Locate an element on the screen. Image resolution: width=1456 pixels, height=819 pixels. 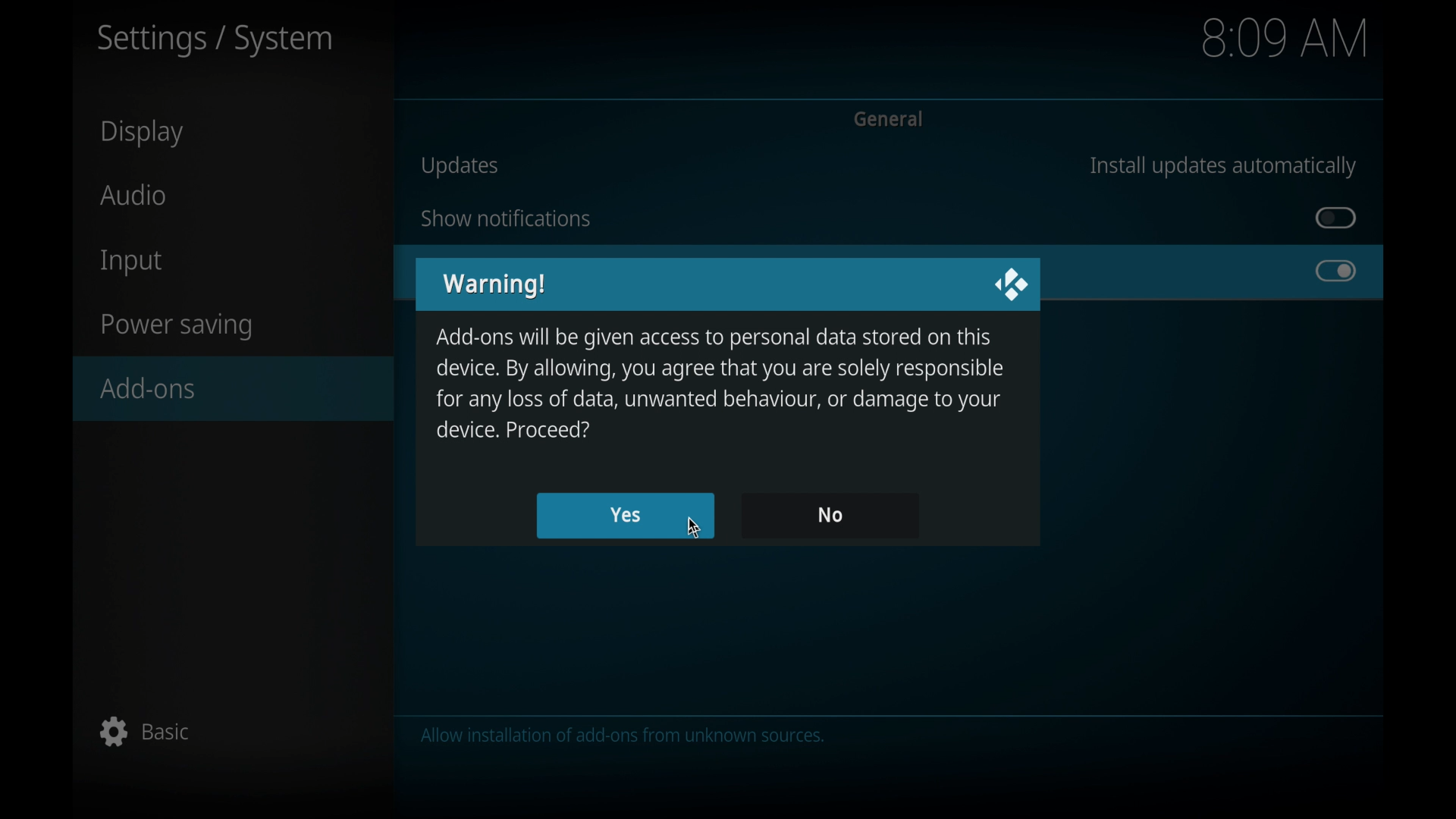
cursor is located at coordinates (693, 528).